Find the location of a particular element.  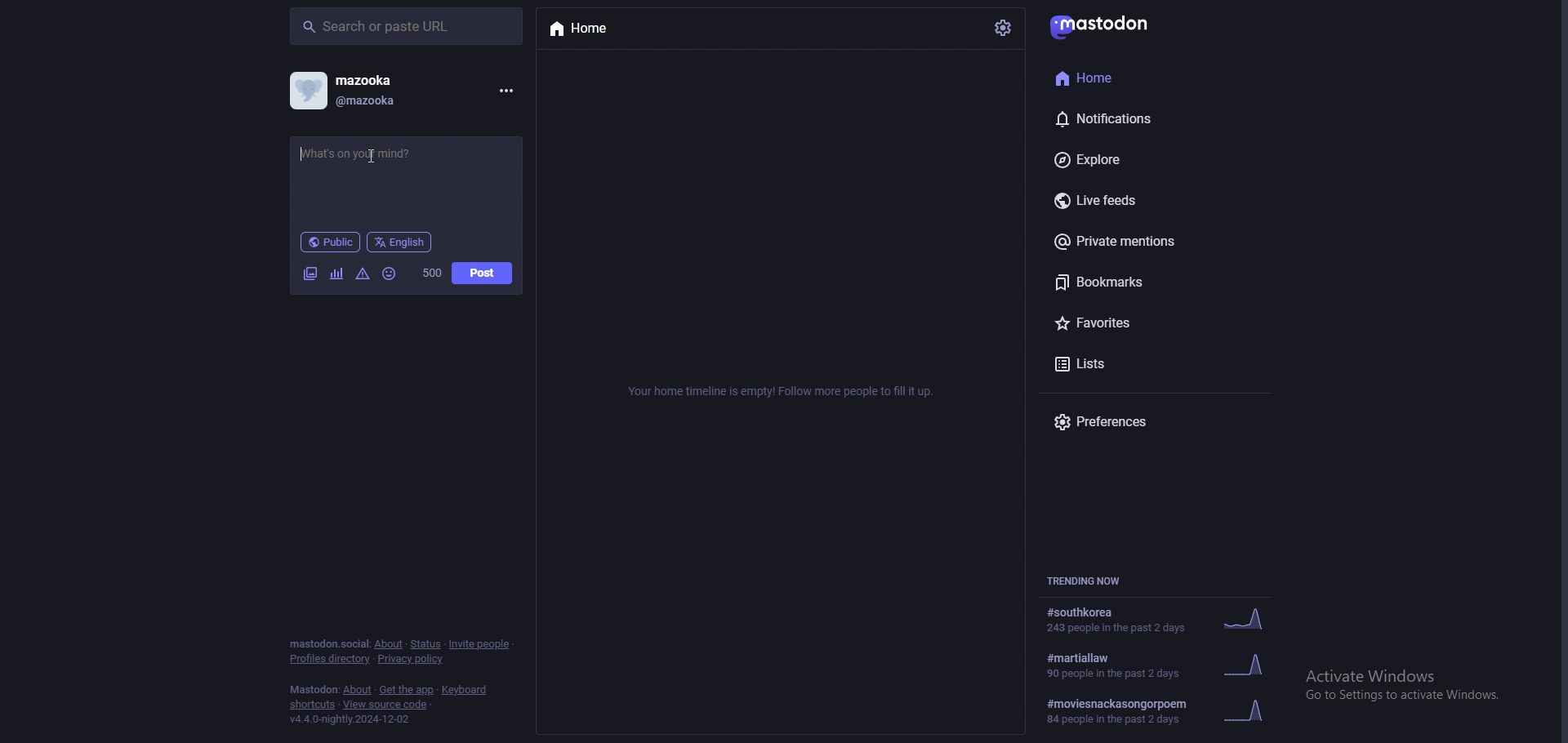

live feeds is located at coordinates (1134, 198).